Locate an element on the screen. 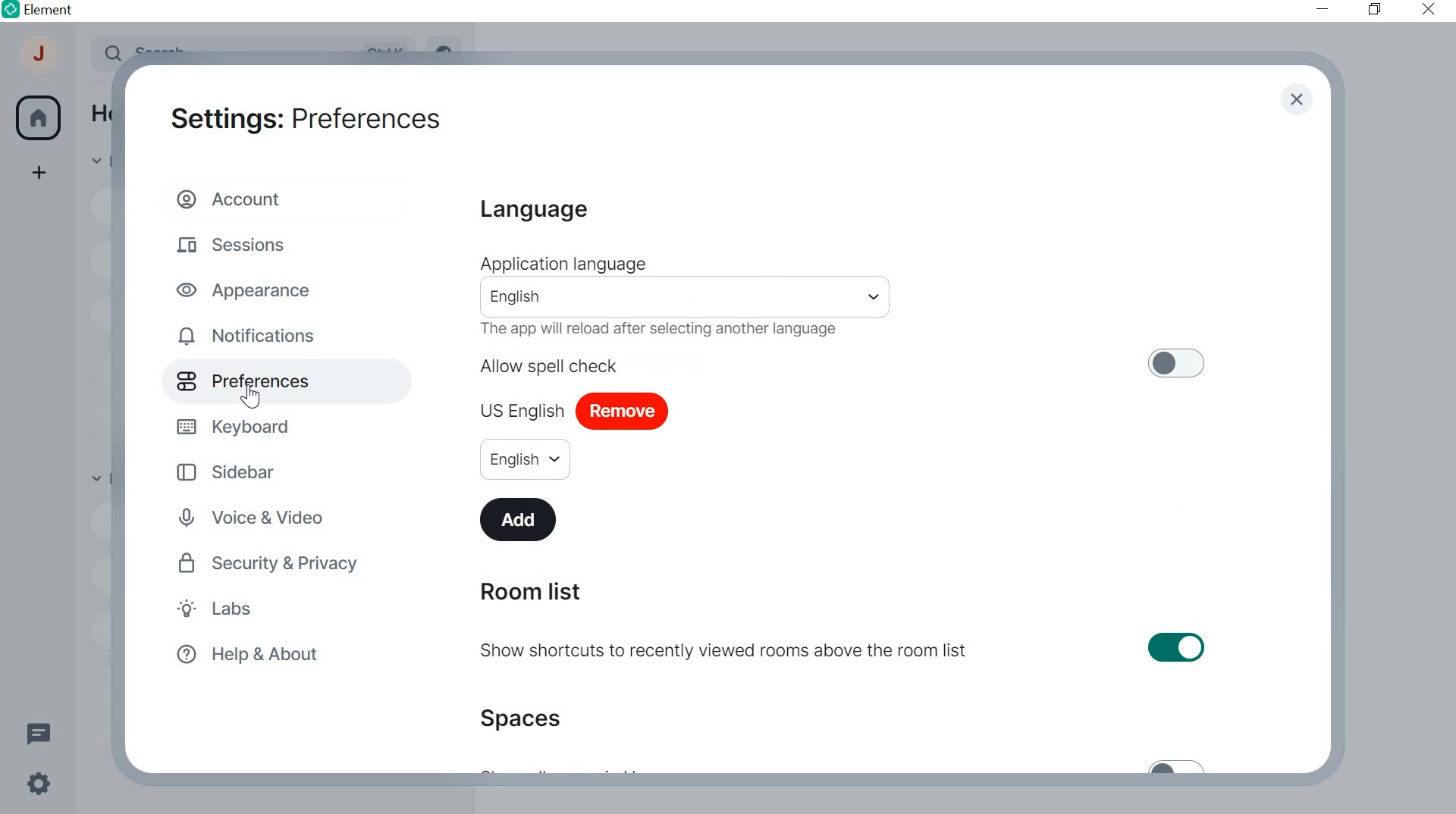 Image resolution: width=1456 pixels, height=814 pixels. SETTINGS: PREFERENCES is located at coordinates (305, 116).